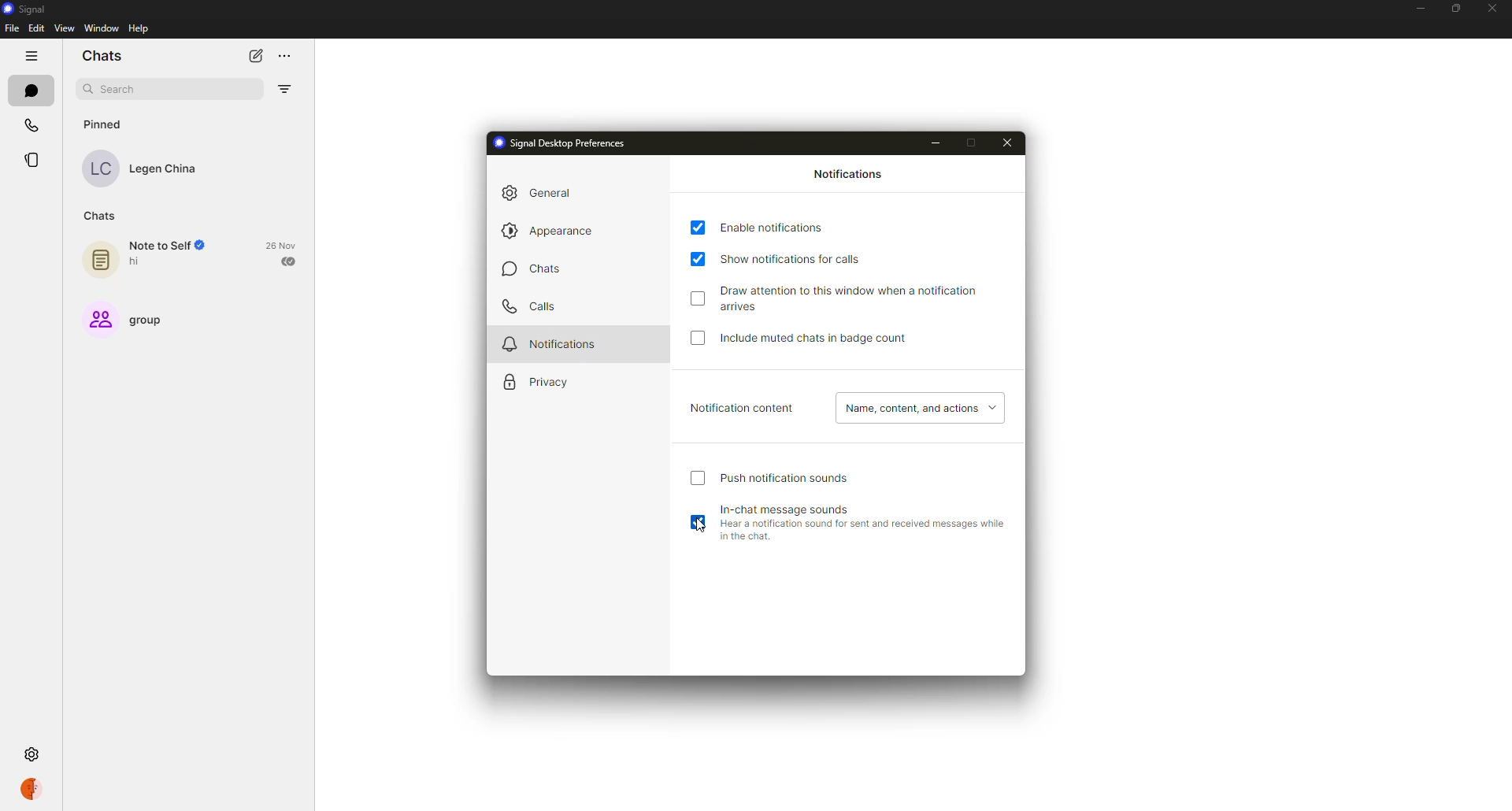 This screenshot has height=811, width=1512. I want to click on show notifications for calls, so click(806, 260).